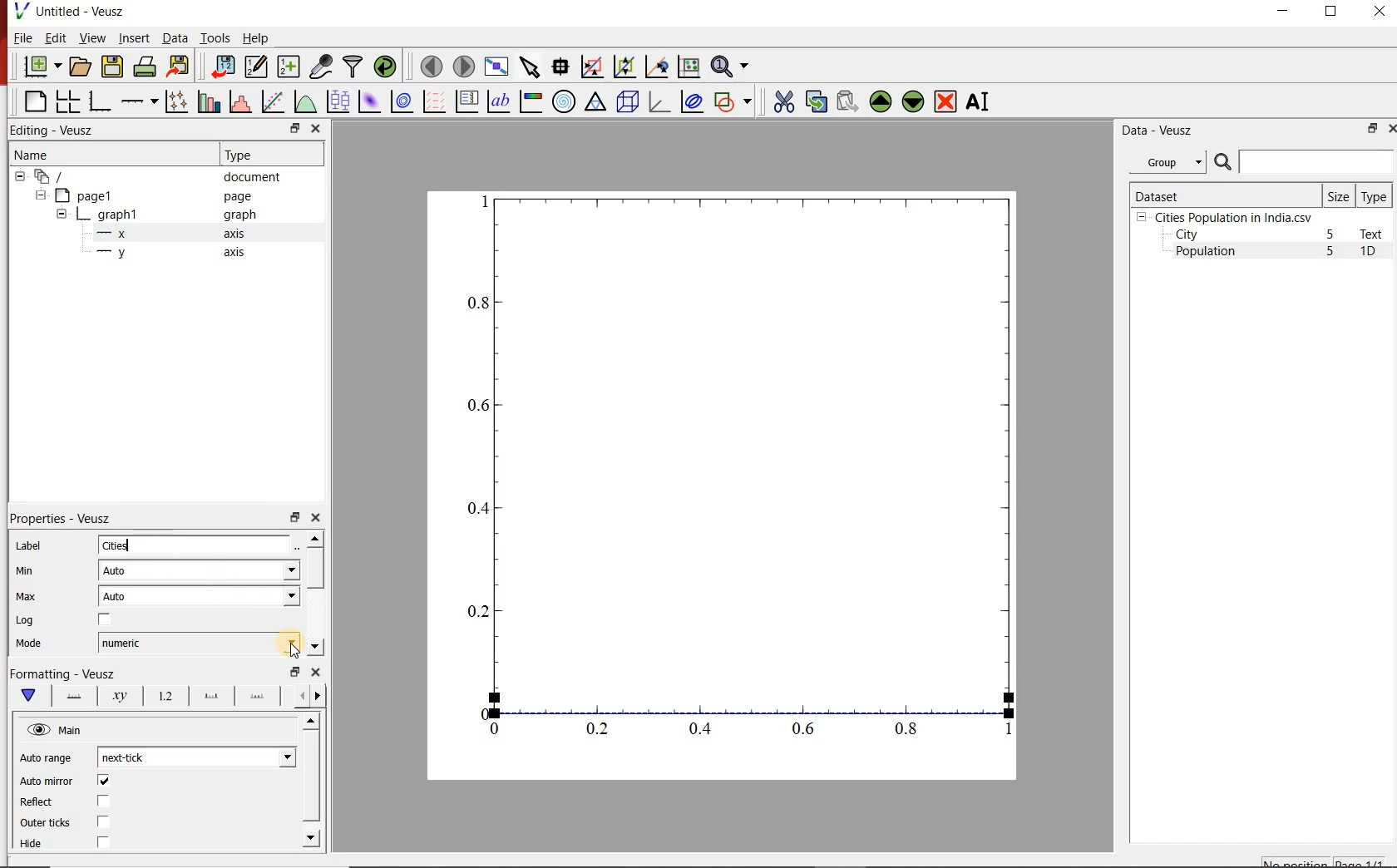 This screenshot has width=1397, height=868. Describe the element at coordinates (384, 67) in the screenshot. I see `reload linked datasets` at that location.